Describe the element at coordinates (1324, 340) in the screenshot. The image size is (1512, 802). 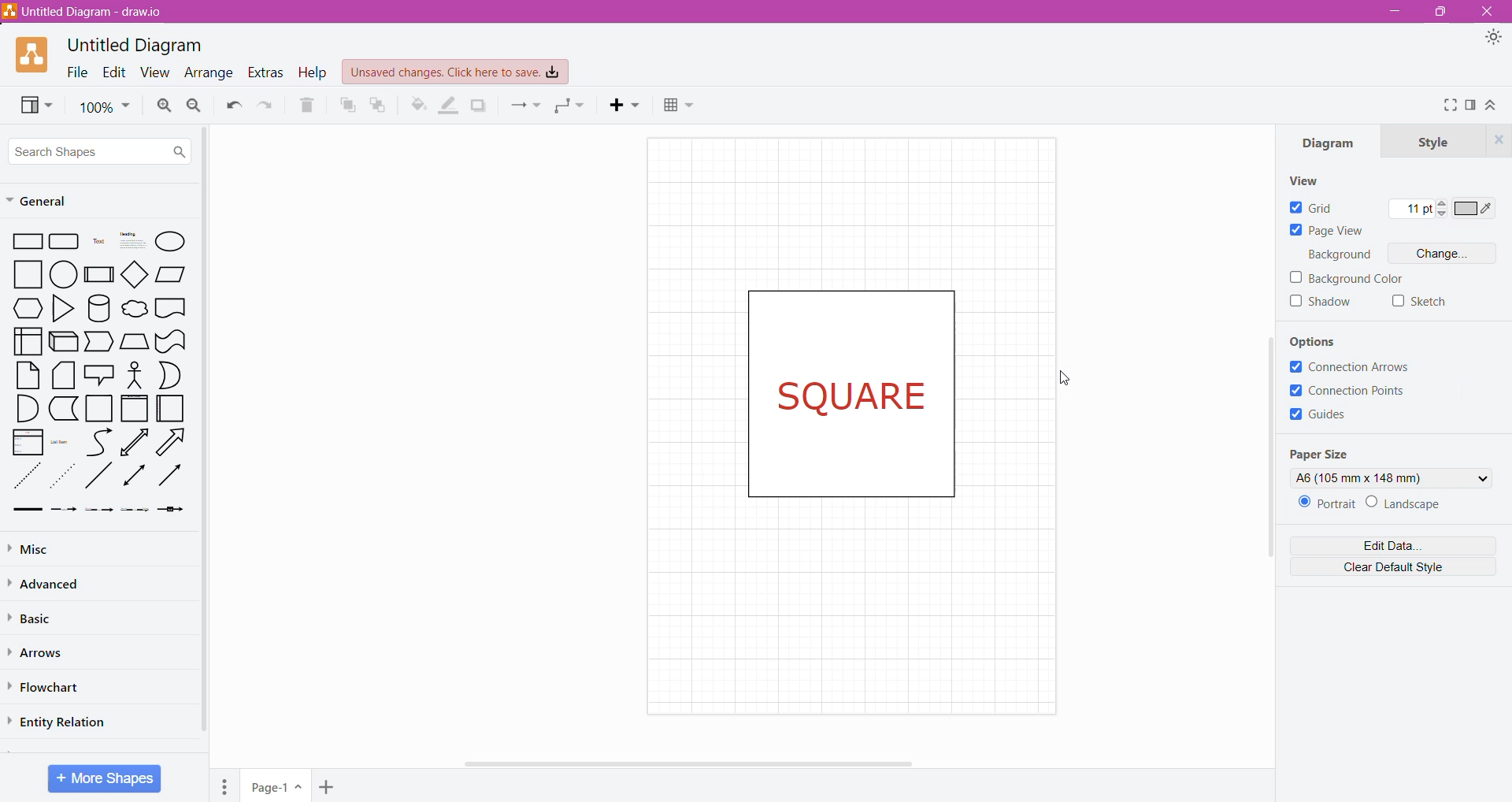
I see `Options` at that location.